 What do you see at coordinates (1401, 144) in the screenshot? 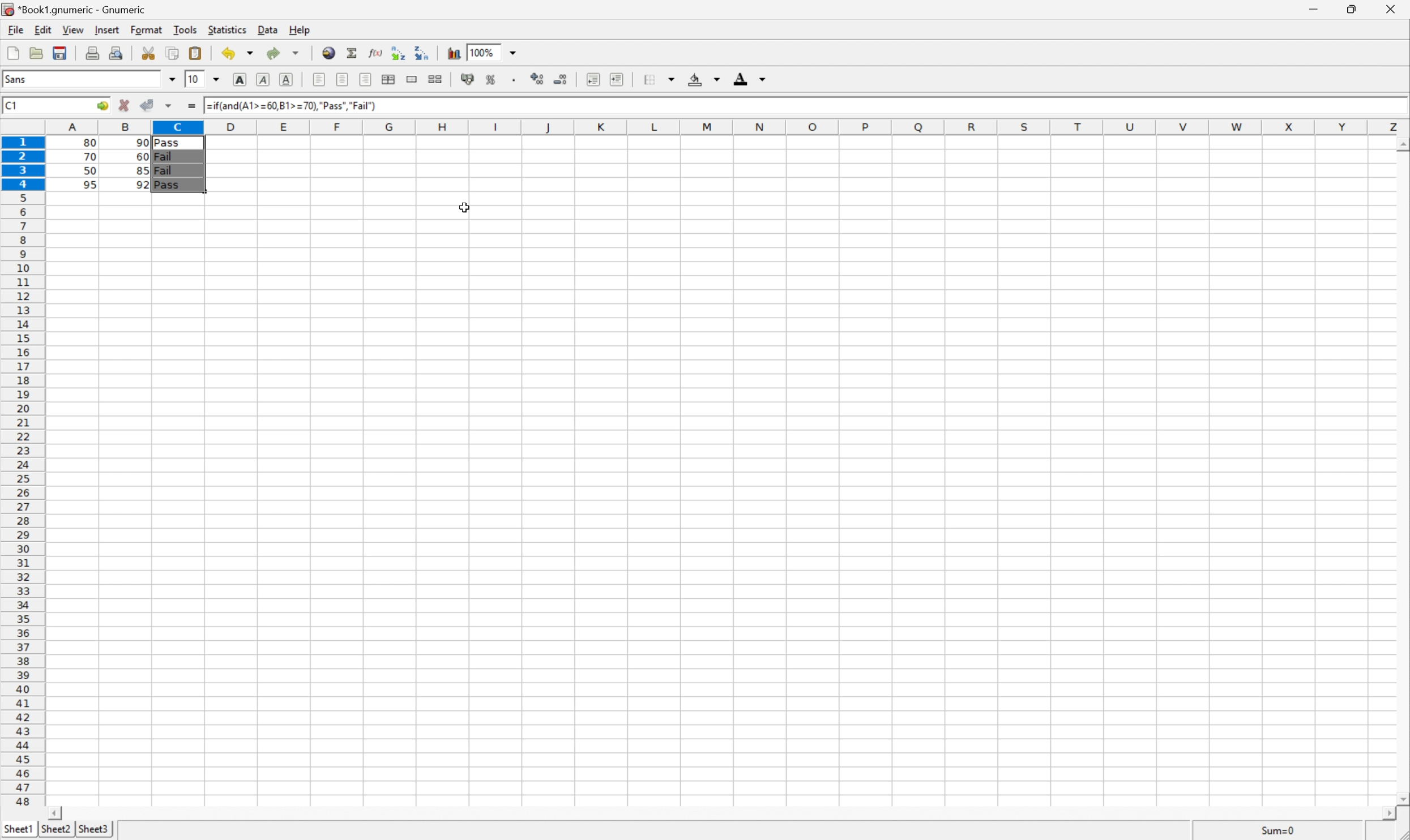
I see `Scroll Up` at bounding box center [1401, 144].